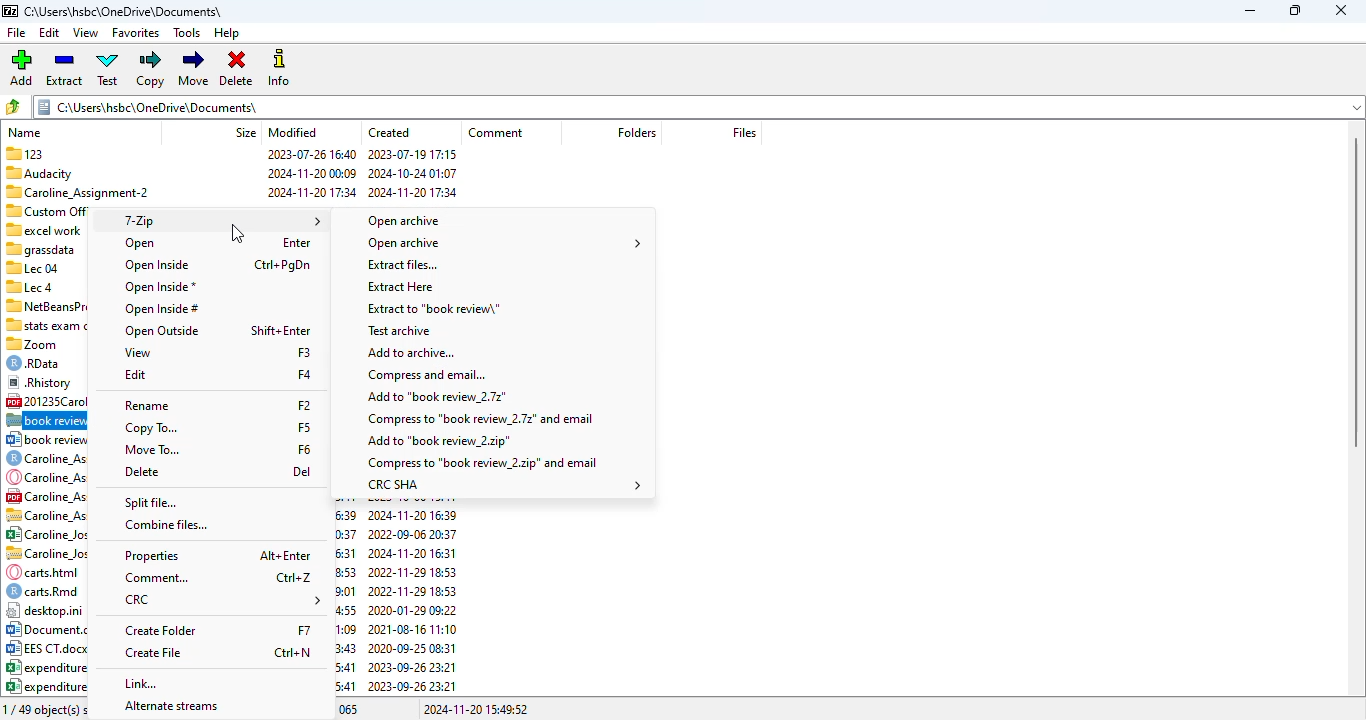 The image size is (1366, 720). Describe the element at coordinates (304, 405) in the screenshot. I see `shortcut for rename` at that location.